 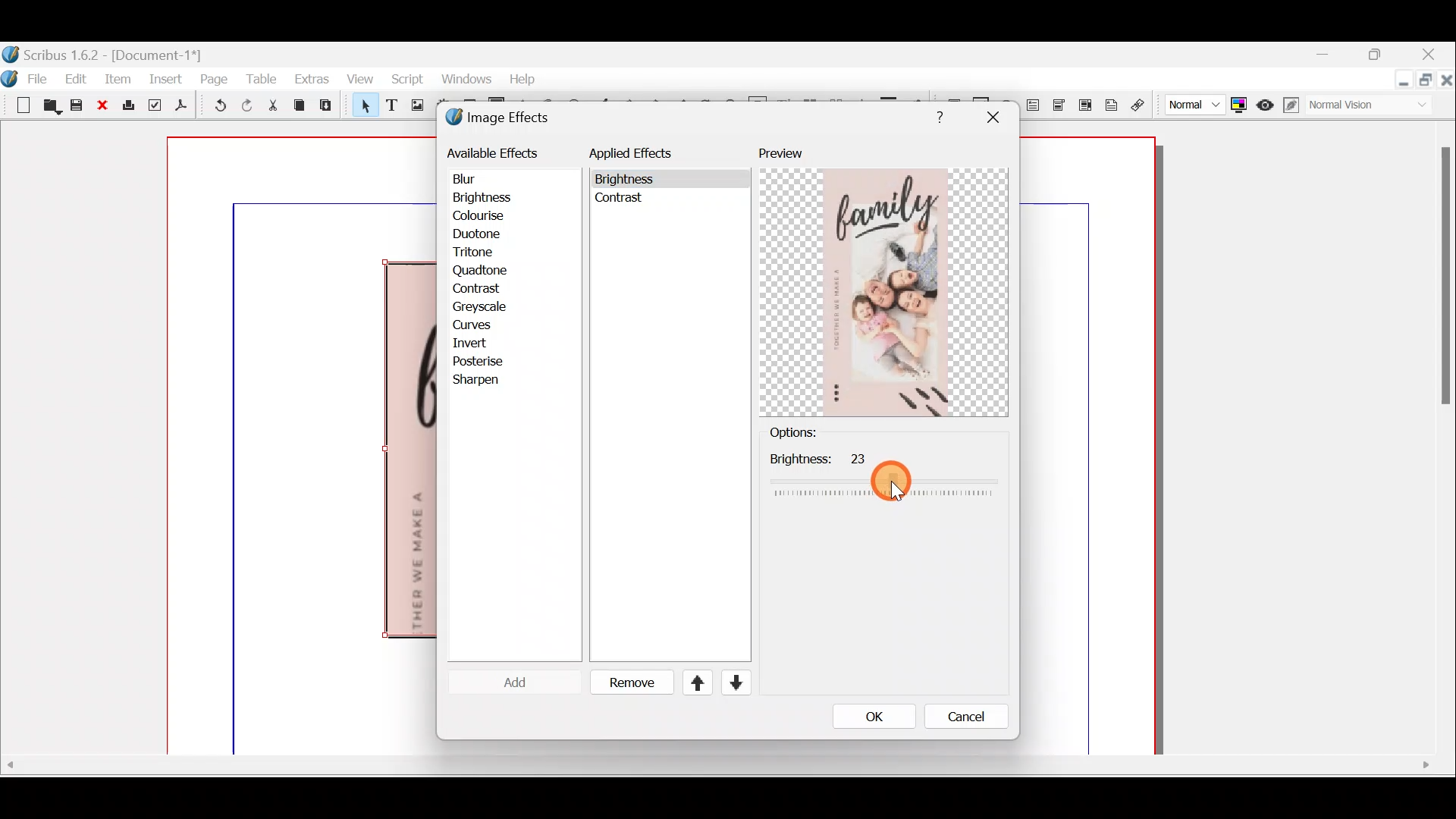 What do you see at coordinates (117, 78) in the screenshot?
I see `Item` at bounding box center [117, 78].